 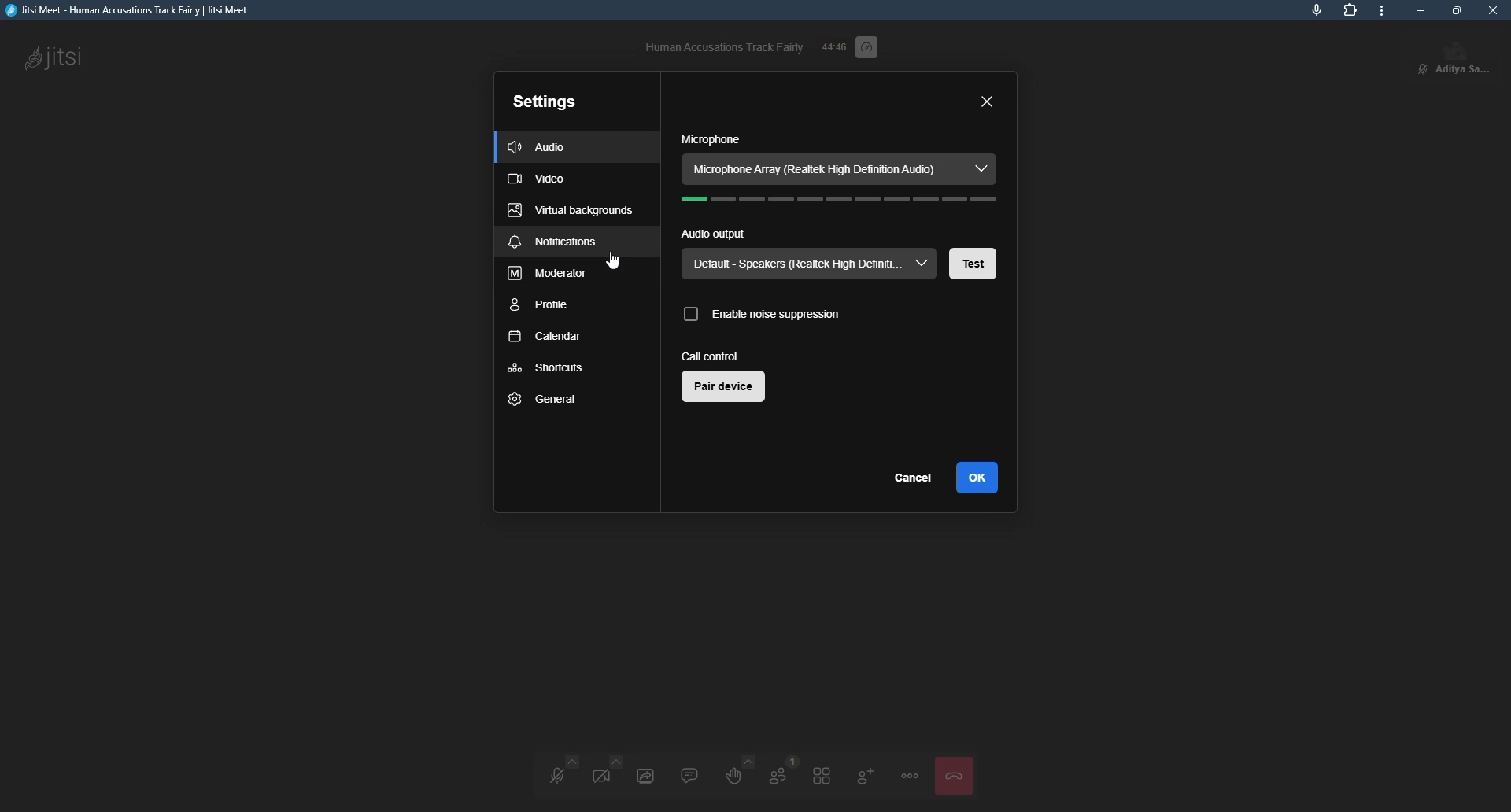 What do you see at coordinates (541, 145) in the screenshot?
I see `audio` at bounding box center [541, 145].